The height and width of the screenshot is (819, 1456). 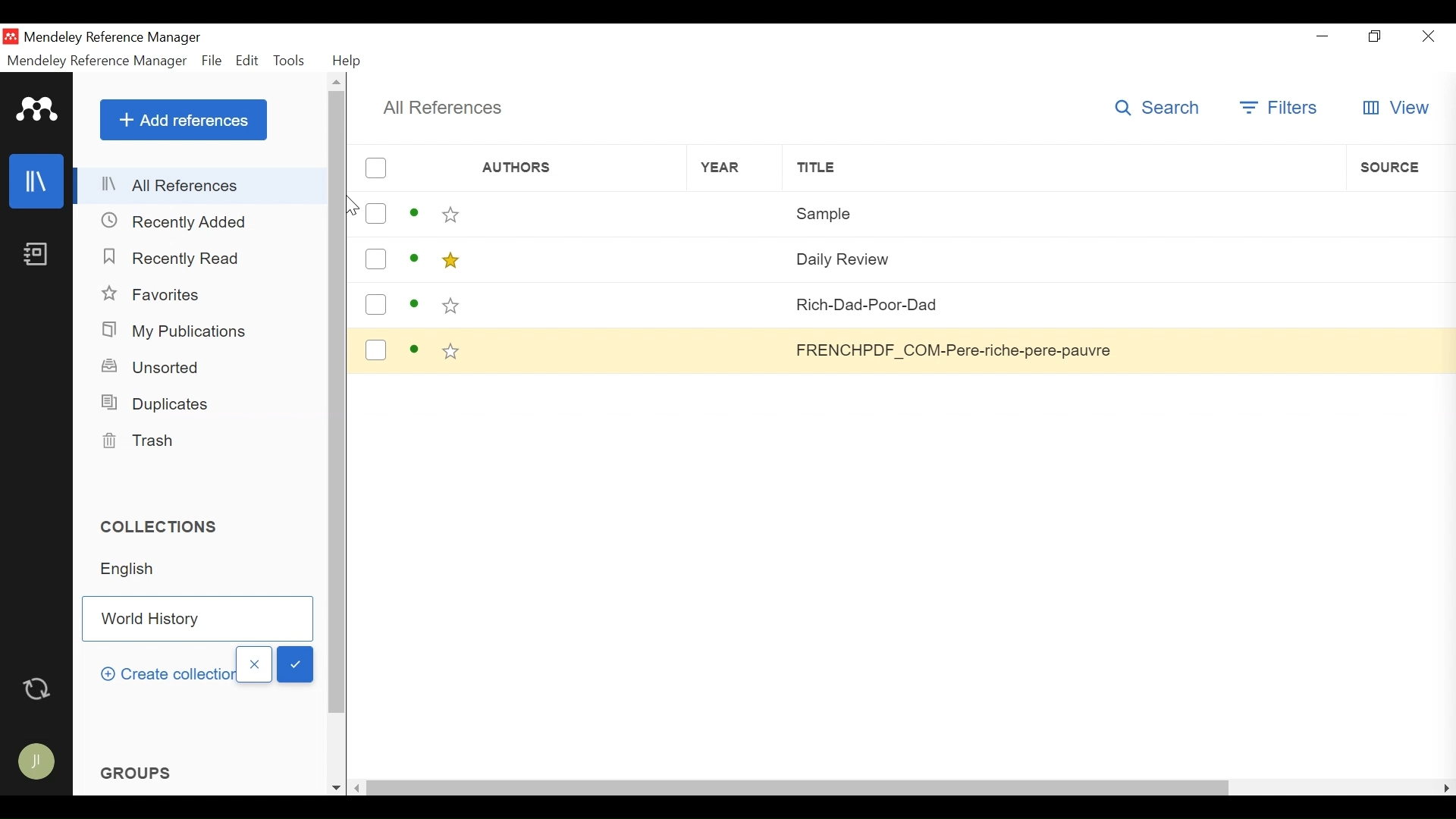 What do you see at coordinates (1064, 303) in the screenshot?
I see `Rich-Dad-Poor-Dad` at bounding box center [1064, 303].